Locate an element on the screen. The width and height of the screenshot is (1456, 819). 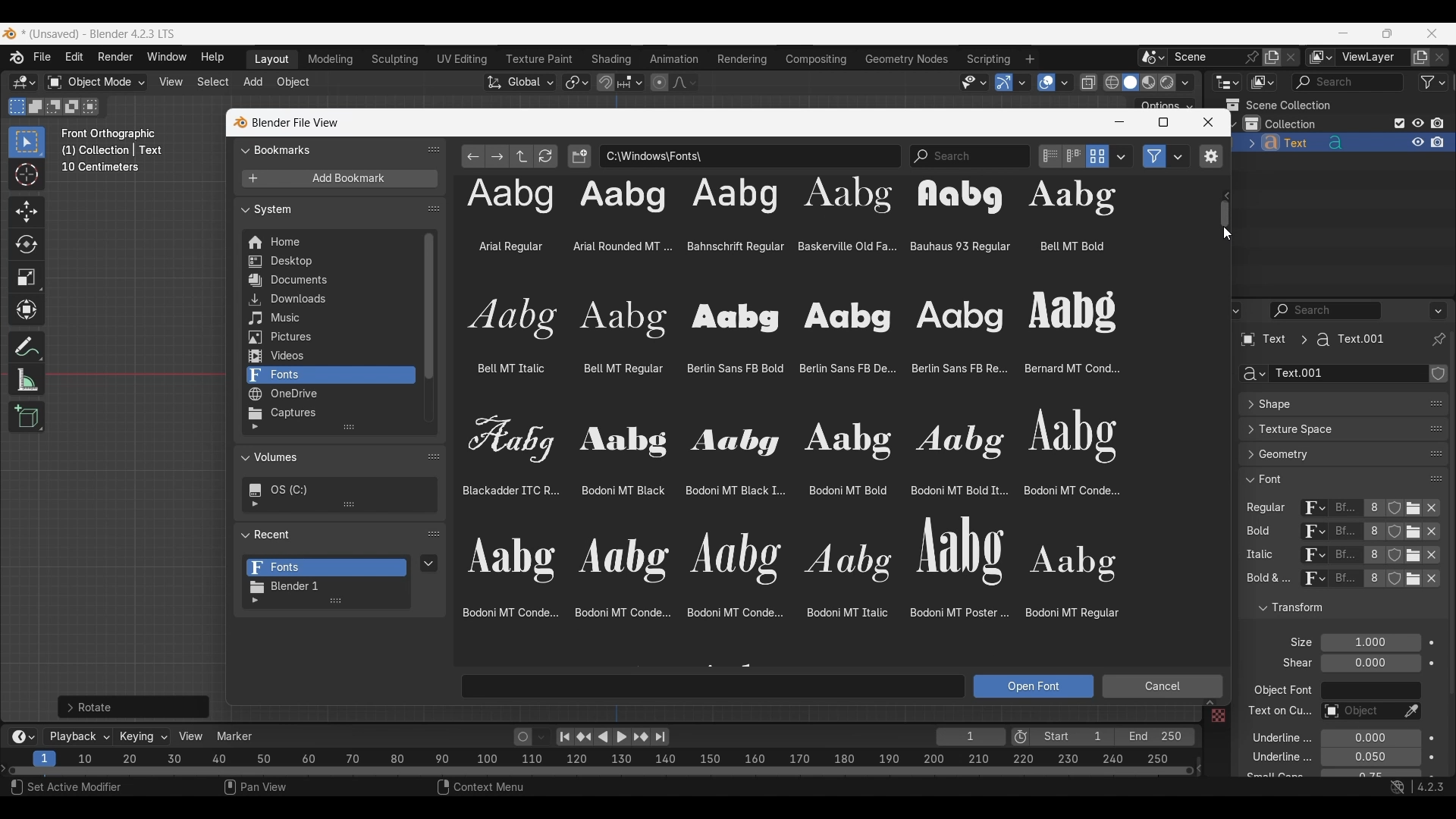
Object font is located at coordinates (1370, 691).